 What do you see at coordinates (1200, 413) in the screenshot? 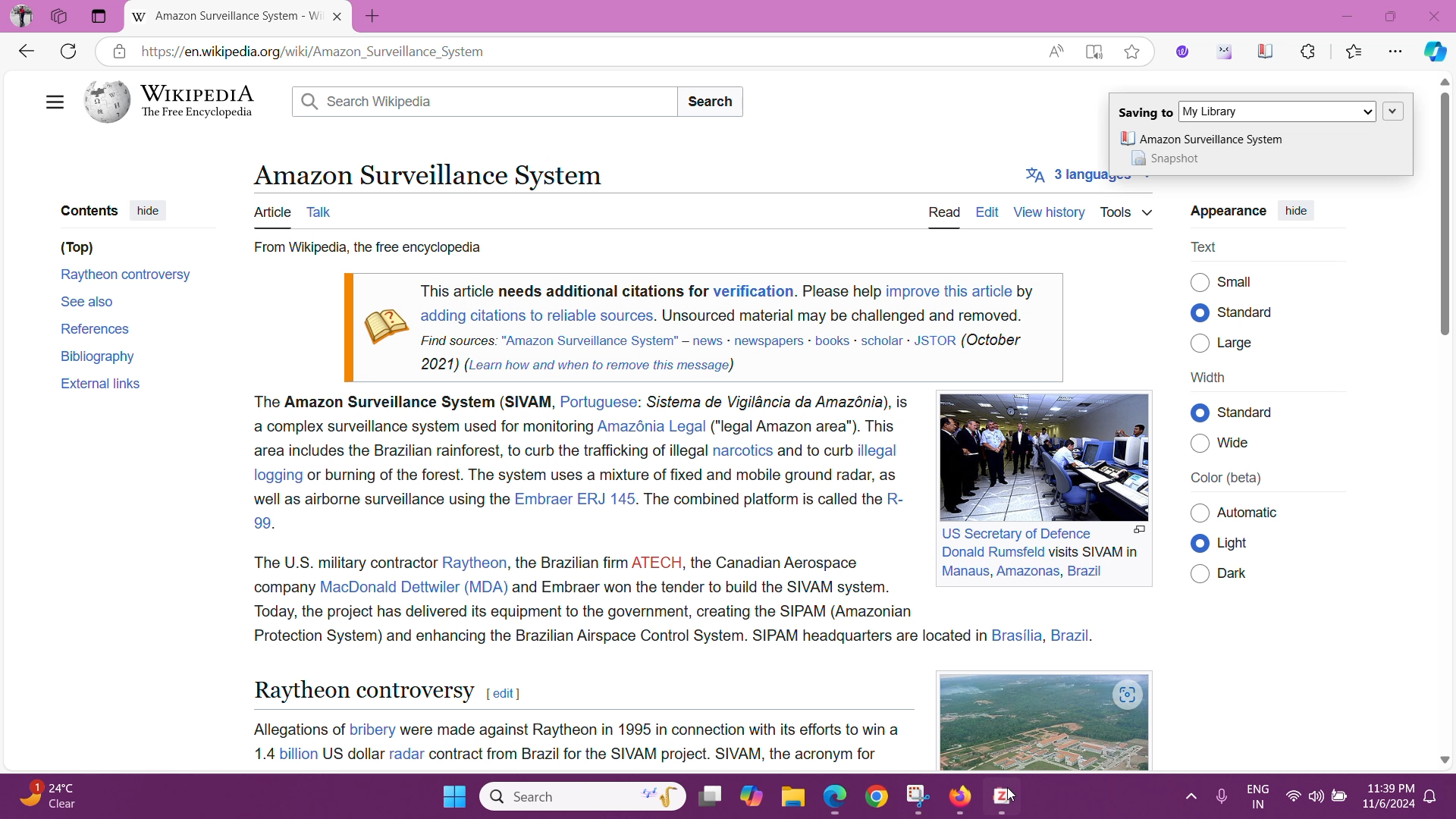
I see `Selected` at bounding box center [1200, 413].